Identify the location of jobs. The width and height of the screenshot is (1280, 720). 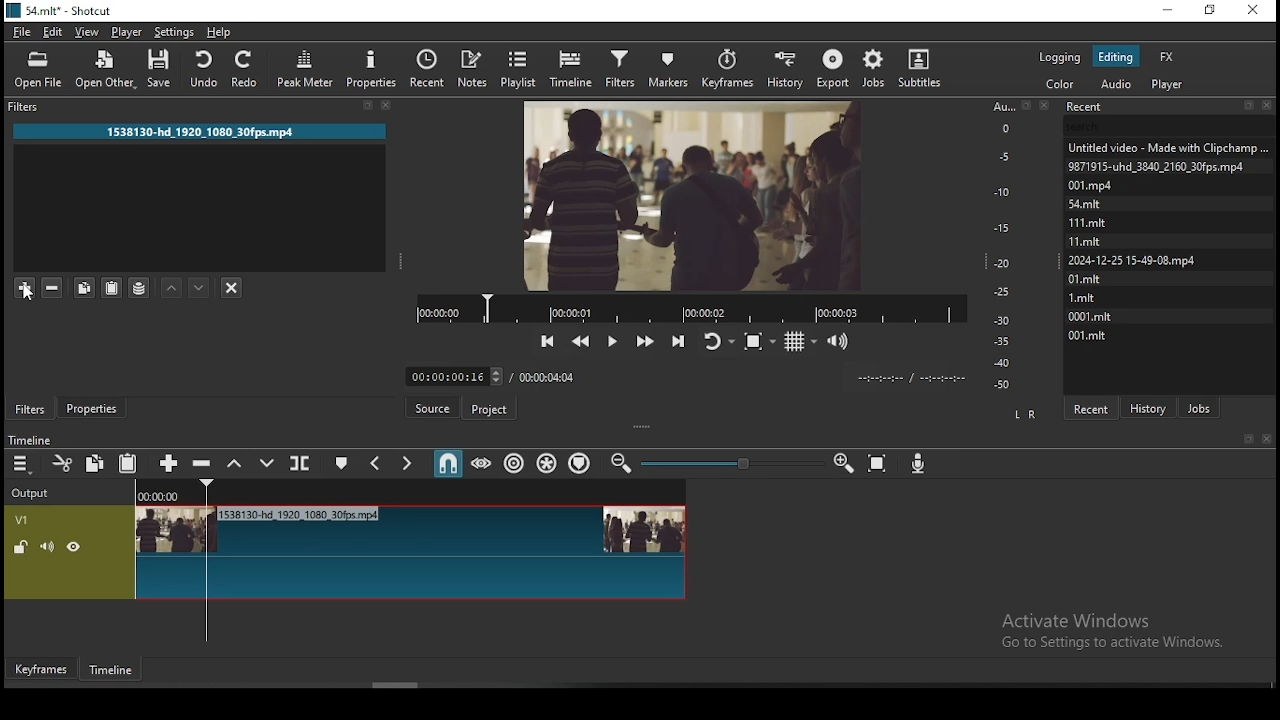
(871, 69).